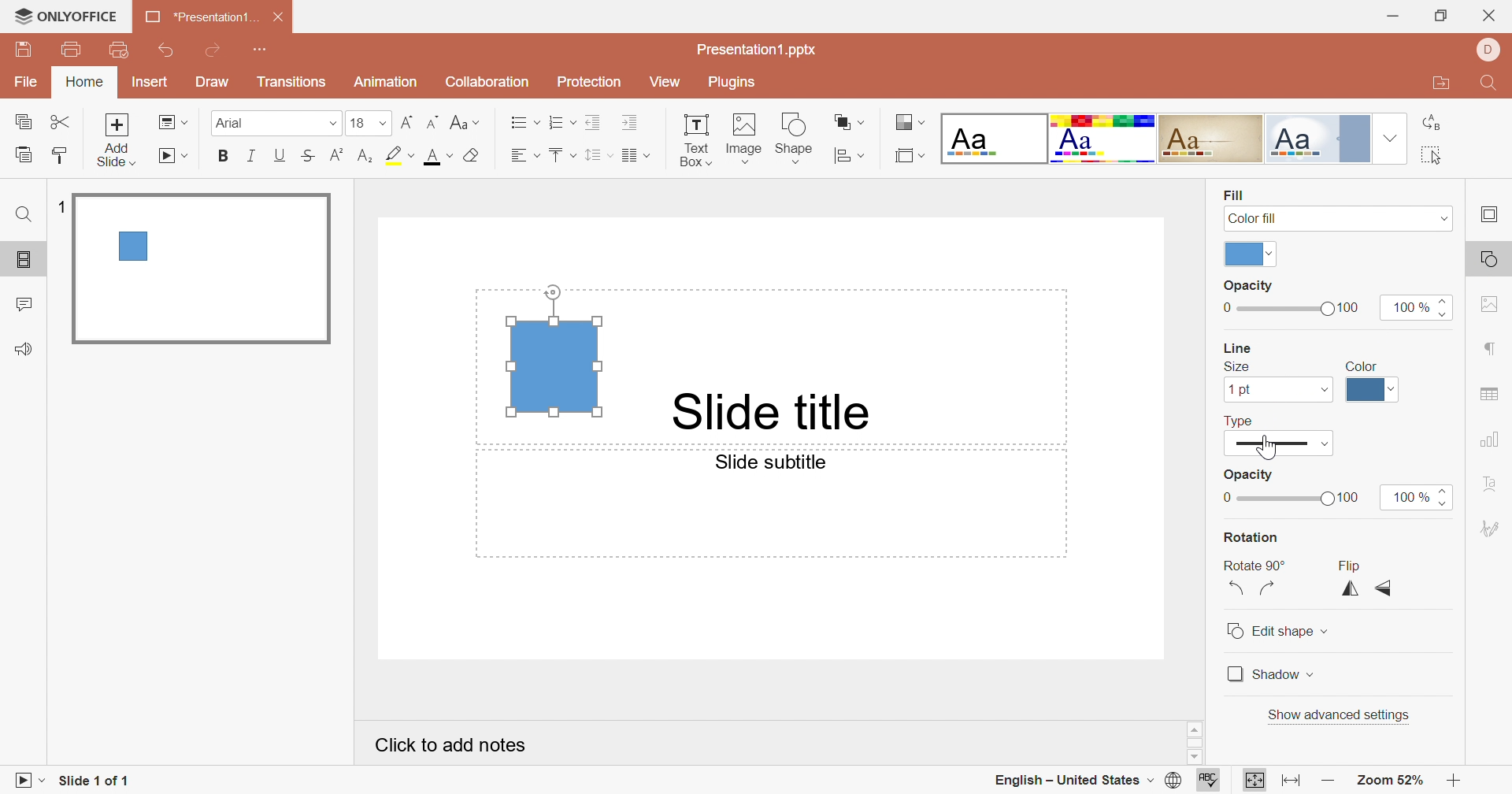 This screenshot has width=1512, height=794. What do you see at coordinates (1254, 780) in the screenshot?
I see `Fit to slide` at bounding box center [1254, 780].